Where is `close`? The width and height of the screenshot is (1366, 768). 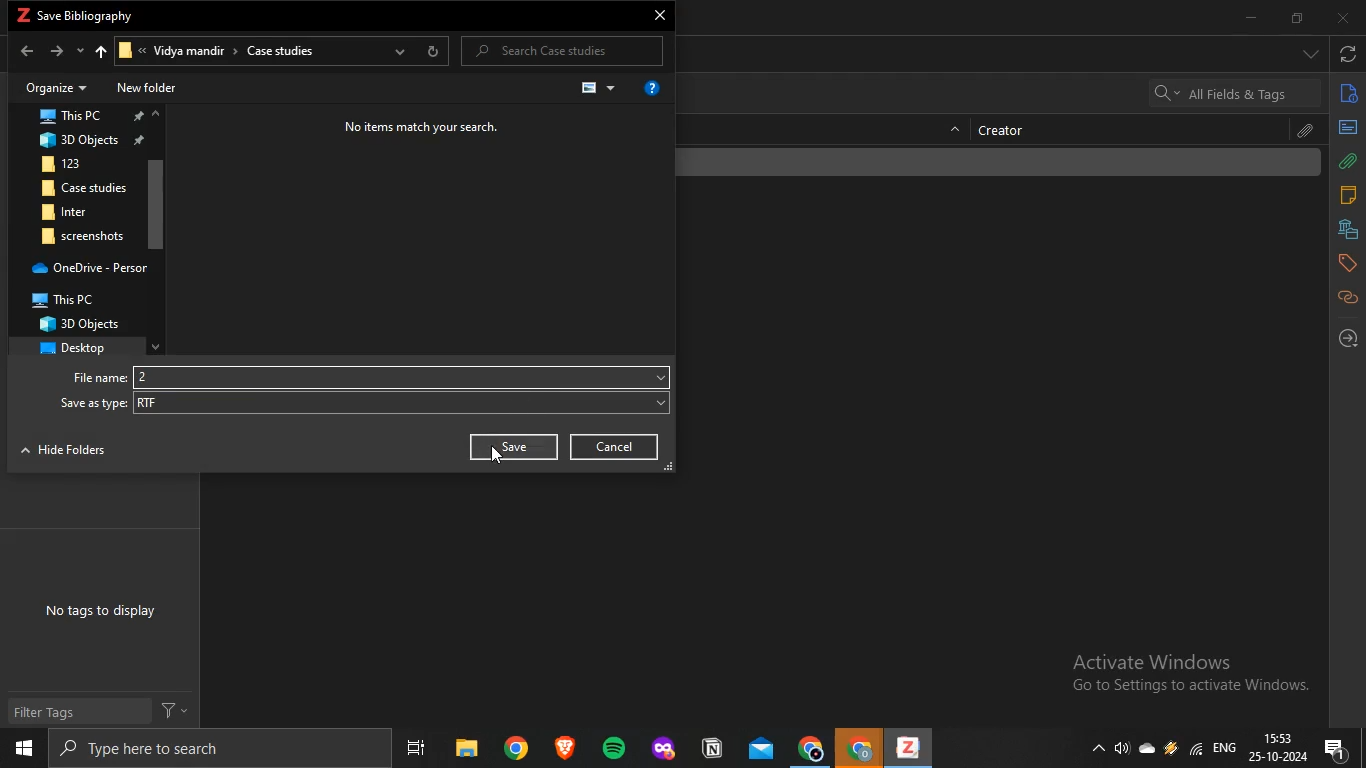 close is located at coordinates (1341, 19).